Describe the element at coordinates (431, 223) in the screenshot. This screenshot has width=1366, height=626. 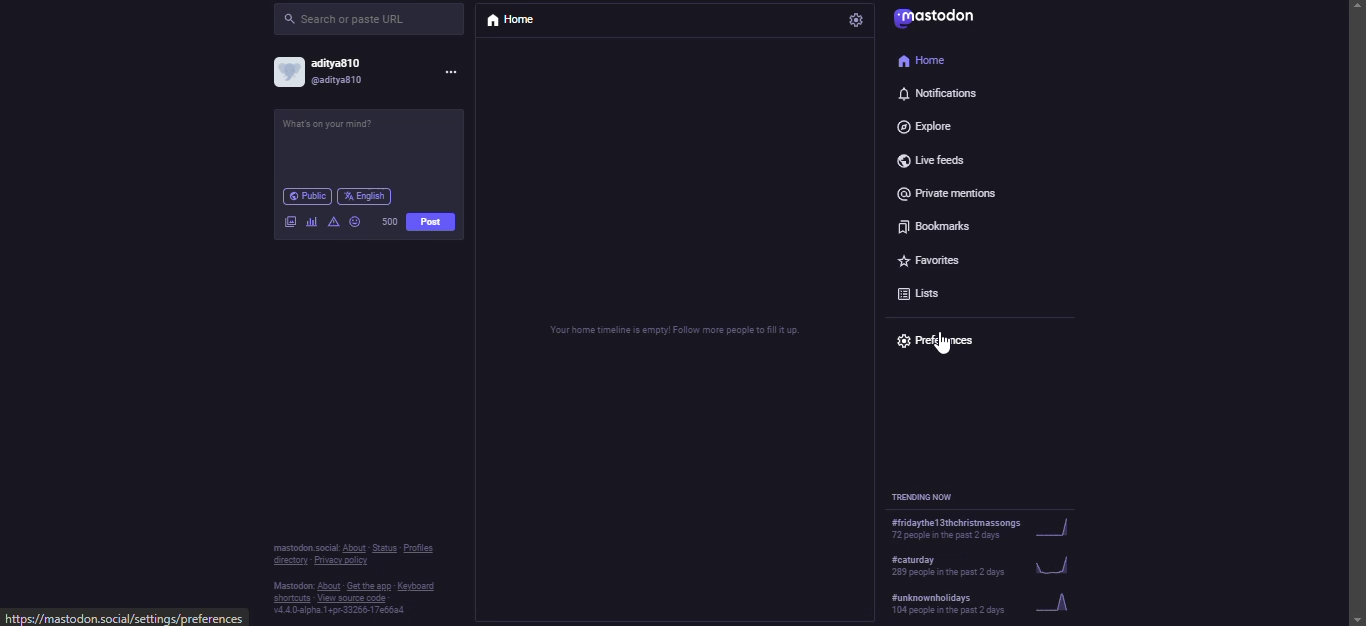
I see `post` at that location.